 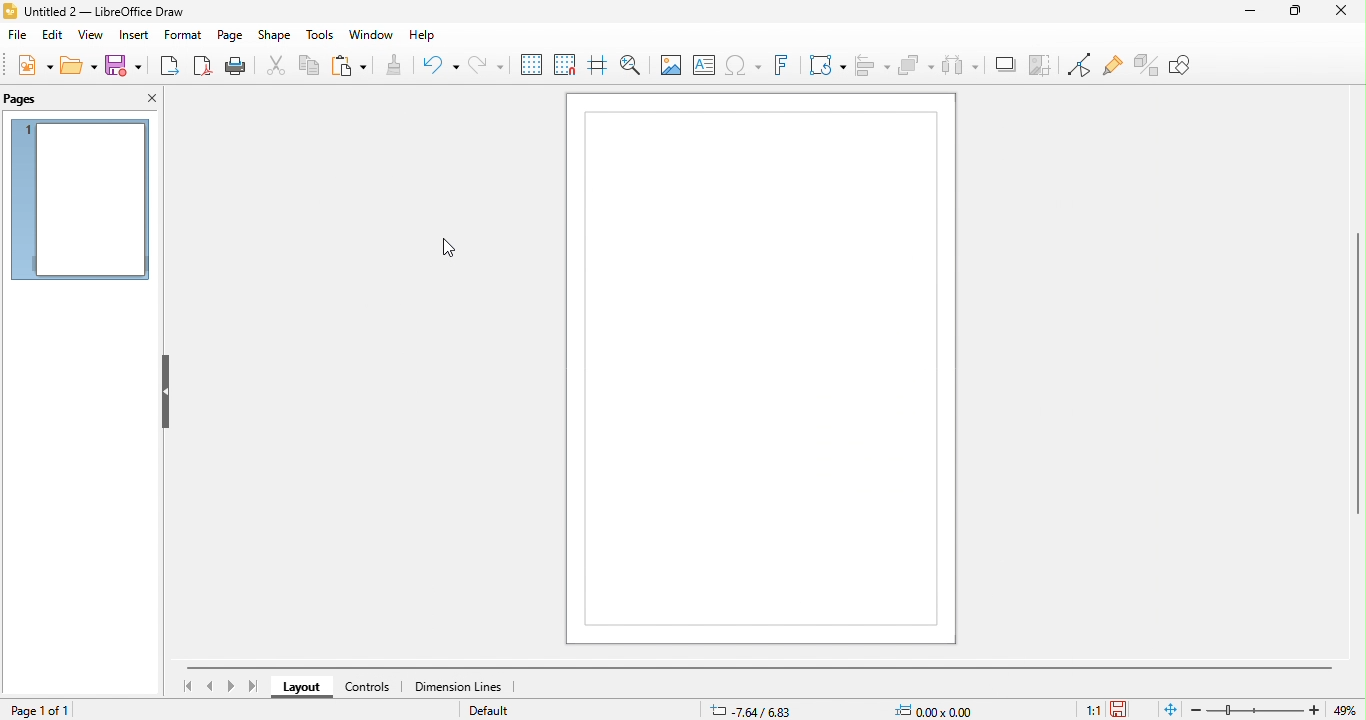 I want to click on controls, so click(x=365, y=688).